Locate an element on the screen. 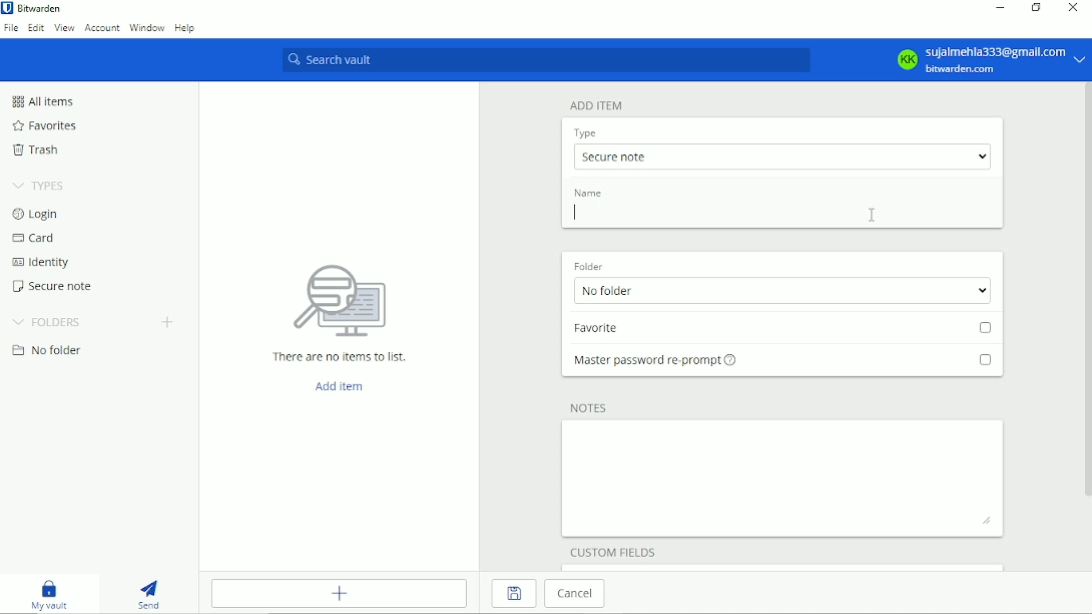  All items is located at coordinates (41, 101).